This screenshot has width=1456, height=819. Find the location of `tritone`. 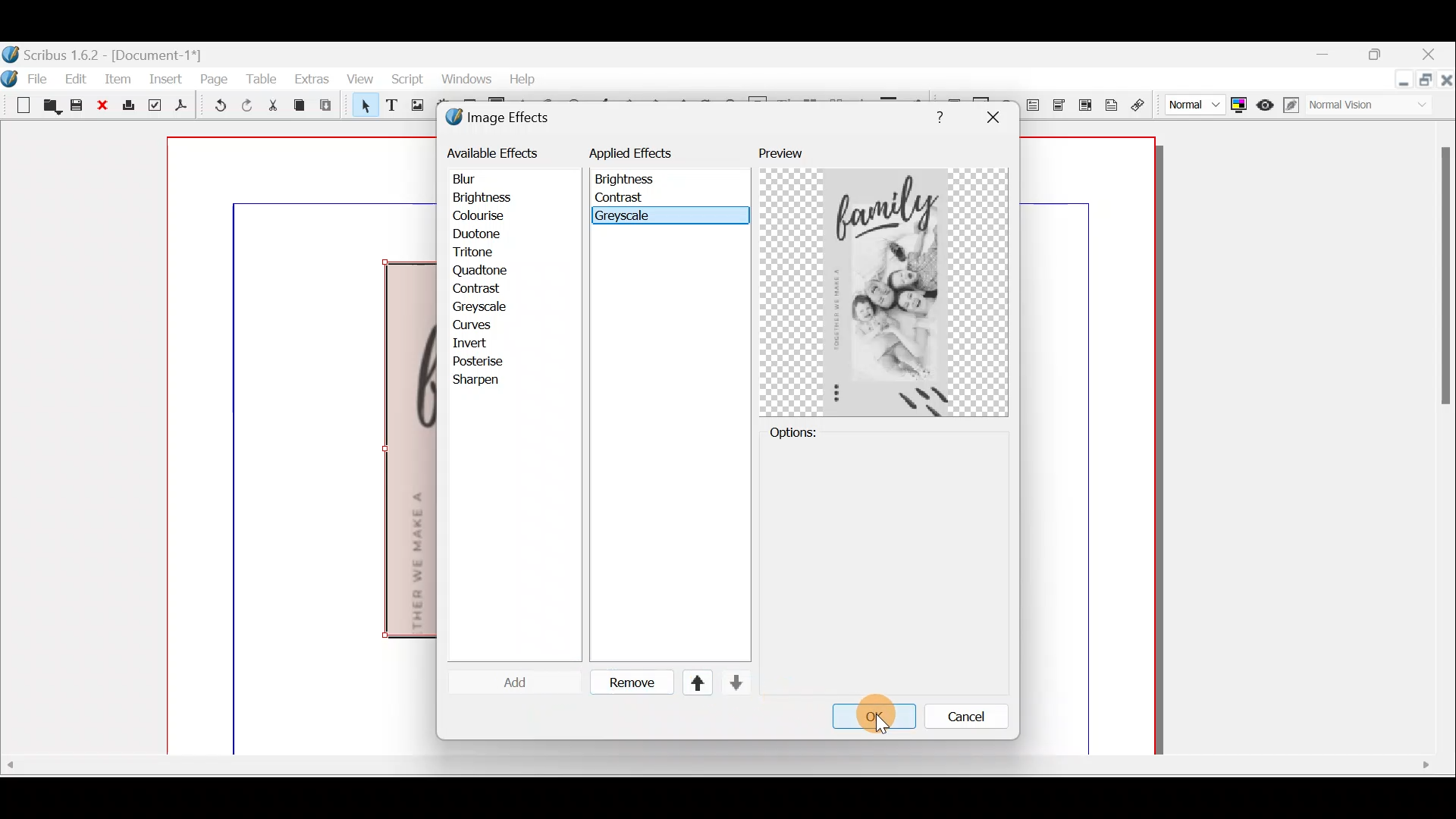

tritone is located at coordinates (497, 252).